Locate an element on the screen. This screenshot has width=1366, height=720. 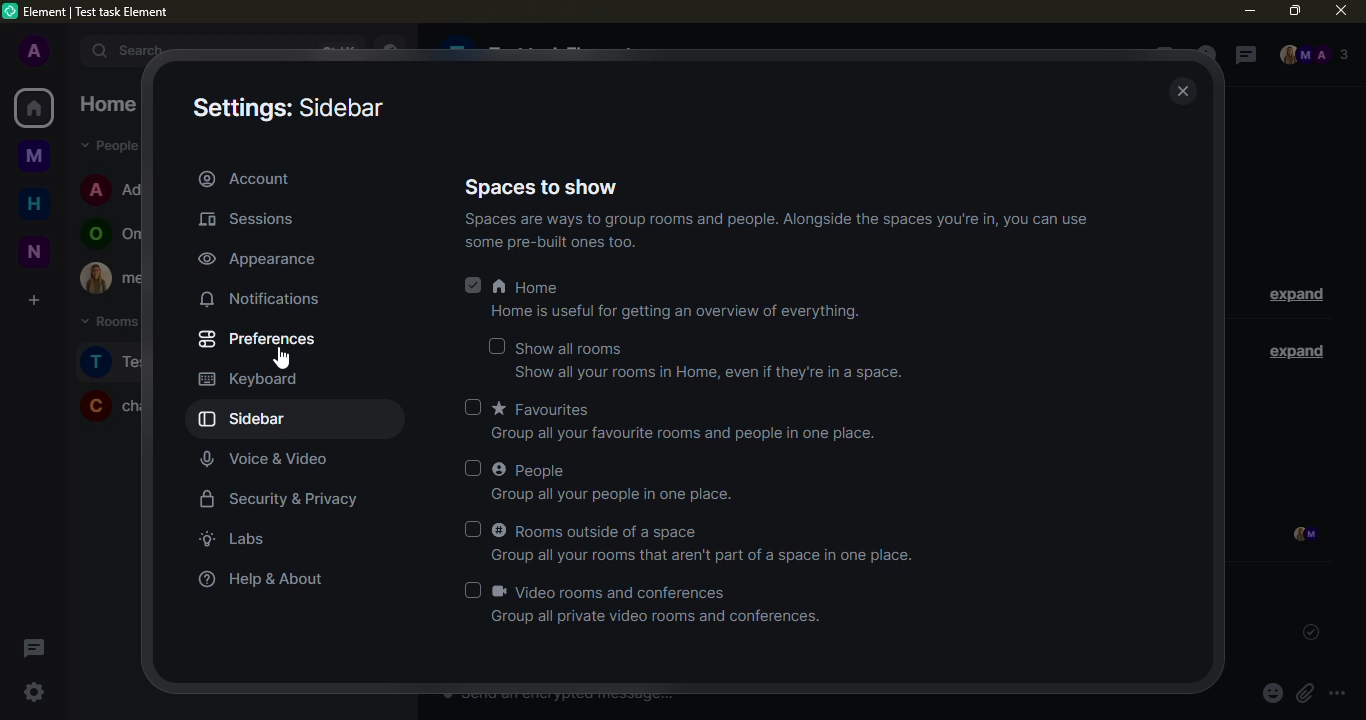
keyboard is located at coordinates (250, 380).